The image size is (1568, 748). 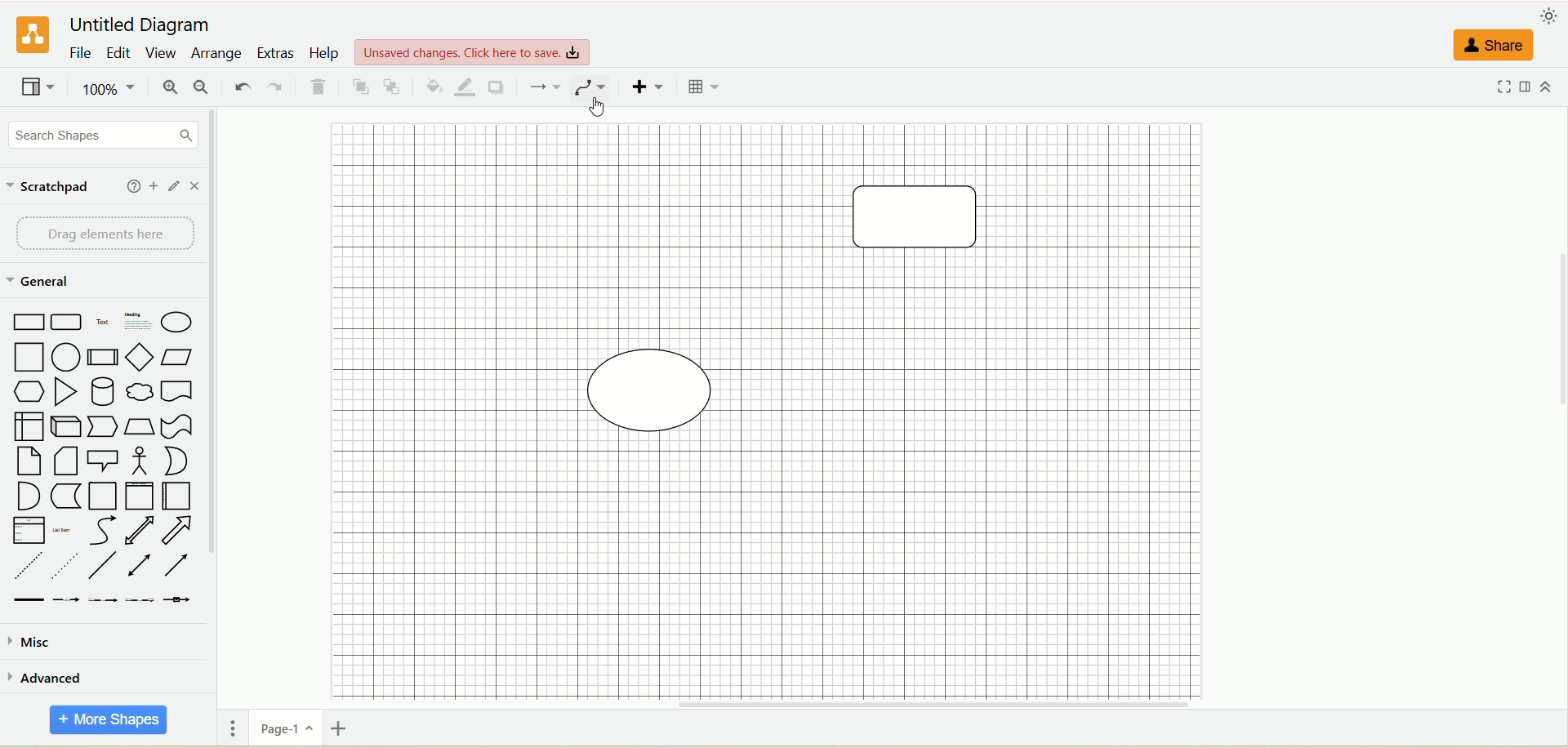 What do you see at coordinates (99, 136) in the screenshot?
I see `search dhapes` at bounding box center [99, 136].